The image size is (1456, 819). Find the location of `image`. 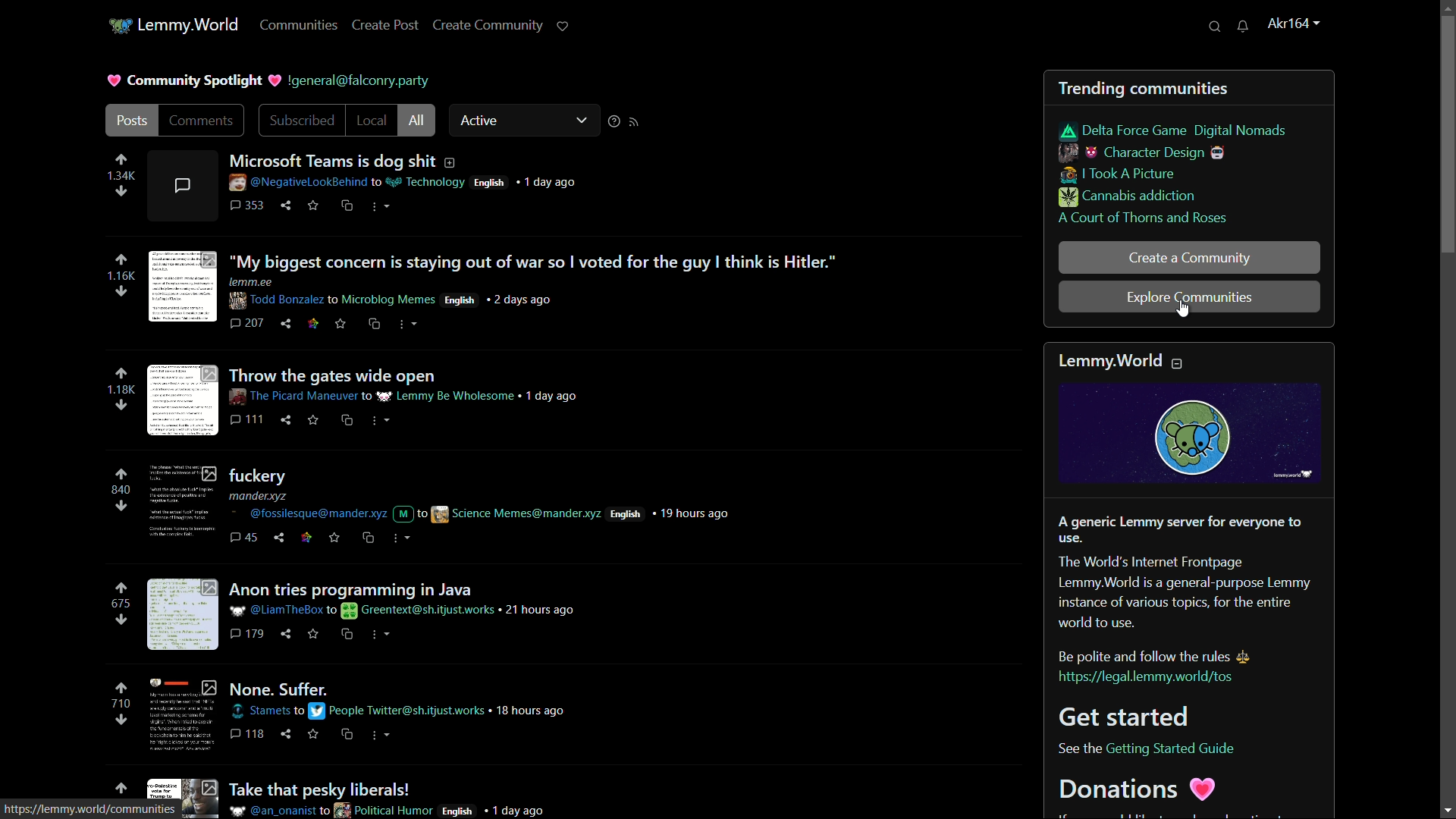

image is located at coordinates (1200, 435).